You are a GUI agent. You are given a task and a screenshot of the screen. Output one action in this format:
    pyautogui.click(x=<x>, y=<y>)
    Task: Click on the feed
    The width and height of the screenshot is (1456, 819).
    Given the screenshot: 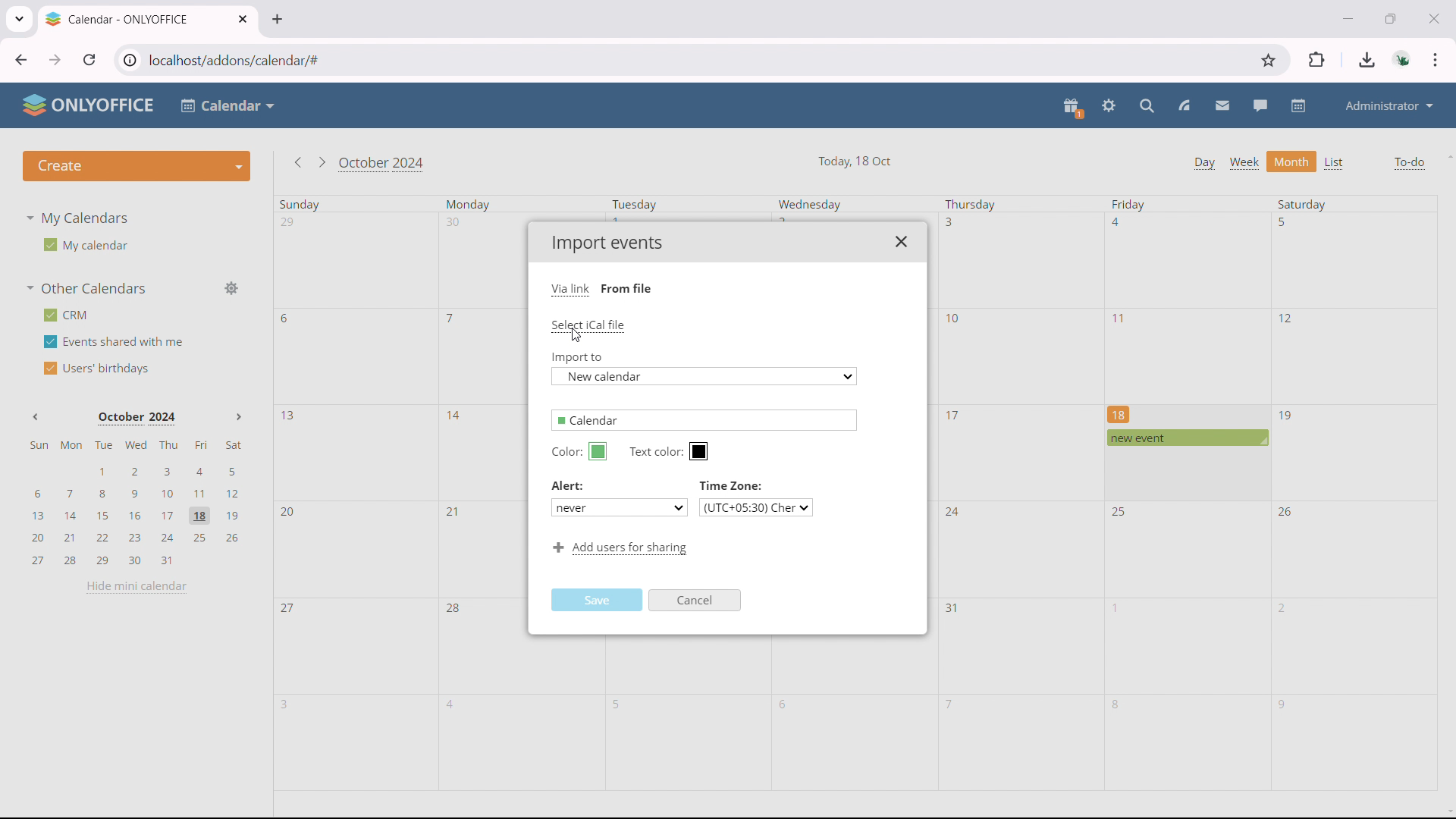 What is the action you would take?
    pyautogui.click(x=1183, y=106)
    